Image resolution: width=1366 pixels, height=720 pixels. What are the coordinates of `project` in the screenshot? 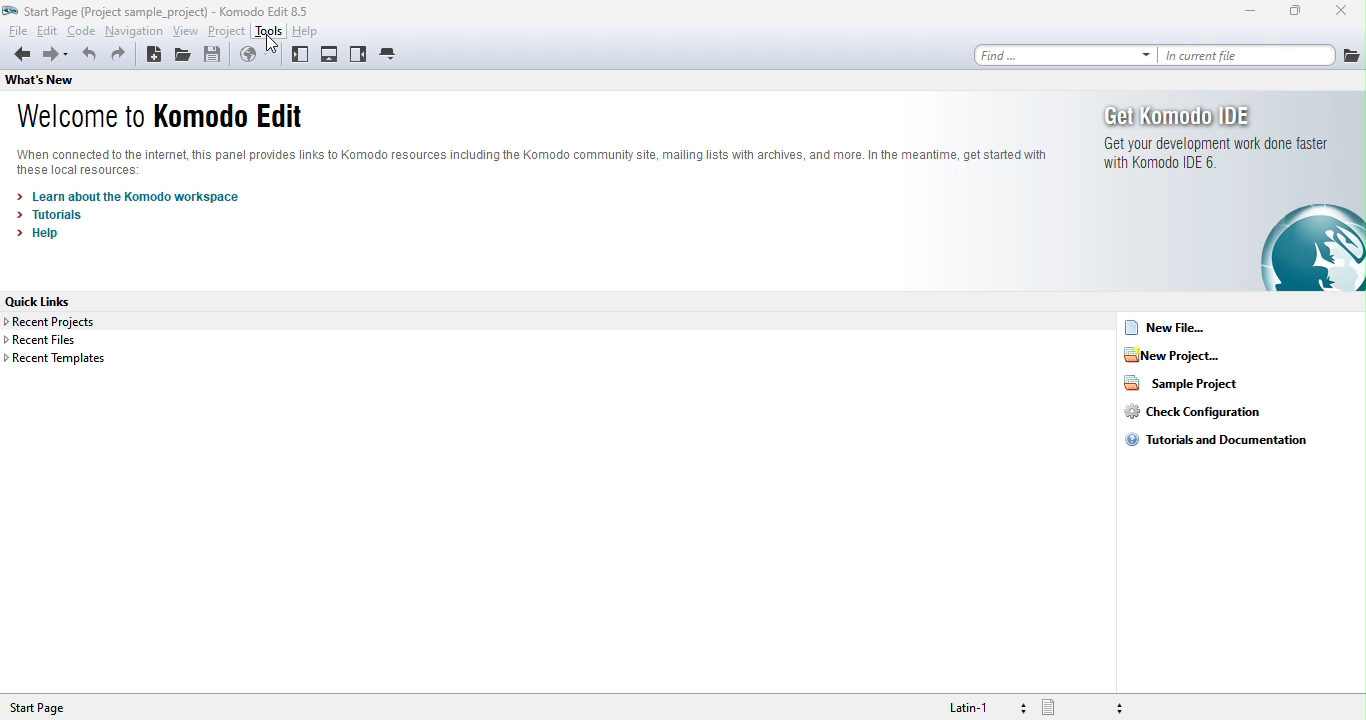 It's located at (227, 32).